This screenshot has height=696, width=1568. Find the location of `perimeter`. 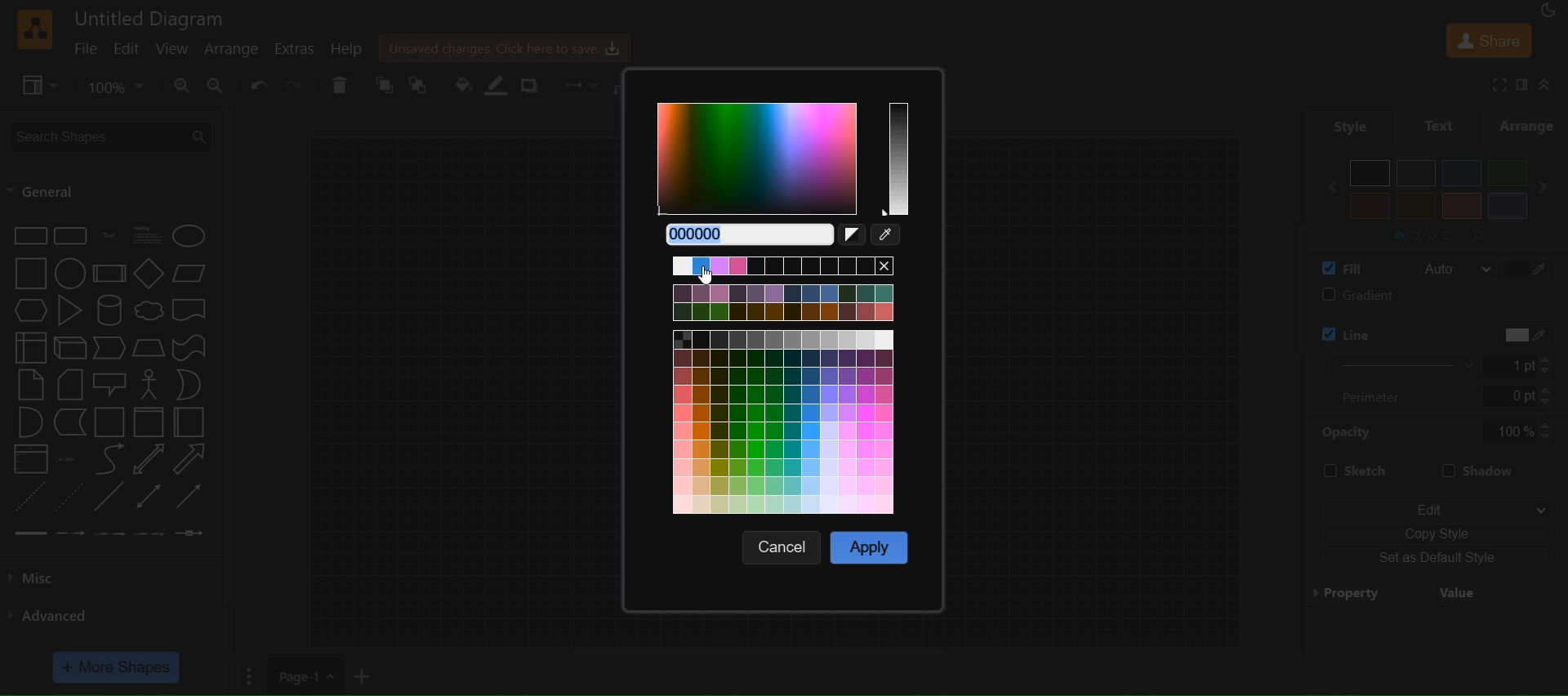

perimeter is located at coordinates (1379, 396).